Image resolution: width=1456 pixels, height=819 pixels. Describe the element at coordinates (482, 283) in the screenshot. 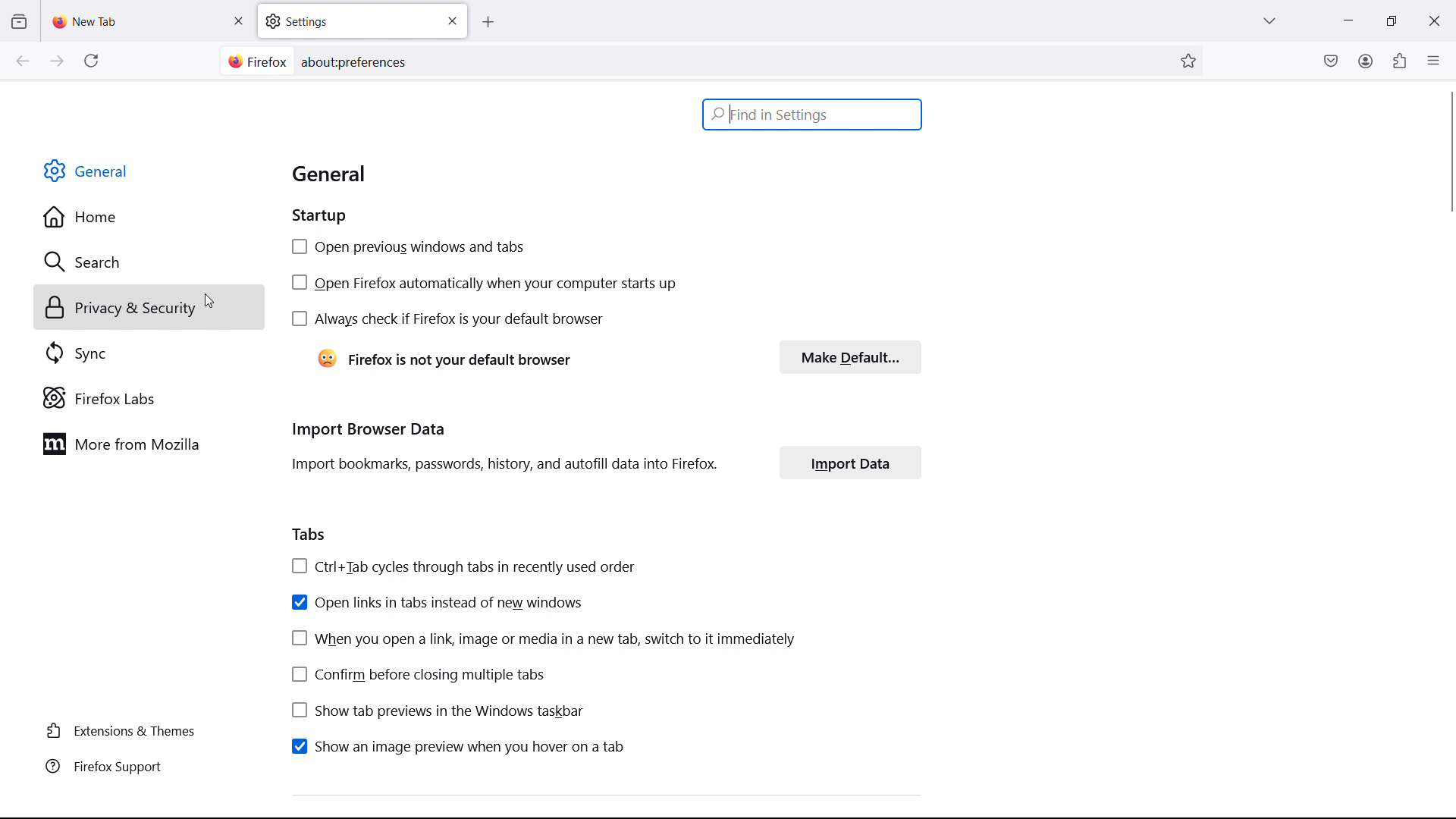

I see `open firefox automatically when your computer starts up checkbox` at that location.